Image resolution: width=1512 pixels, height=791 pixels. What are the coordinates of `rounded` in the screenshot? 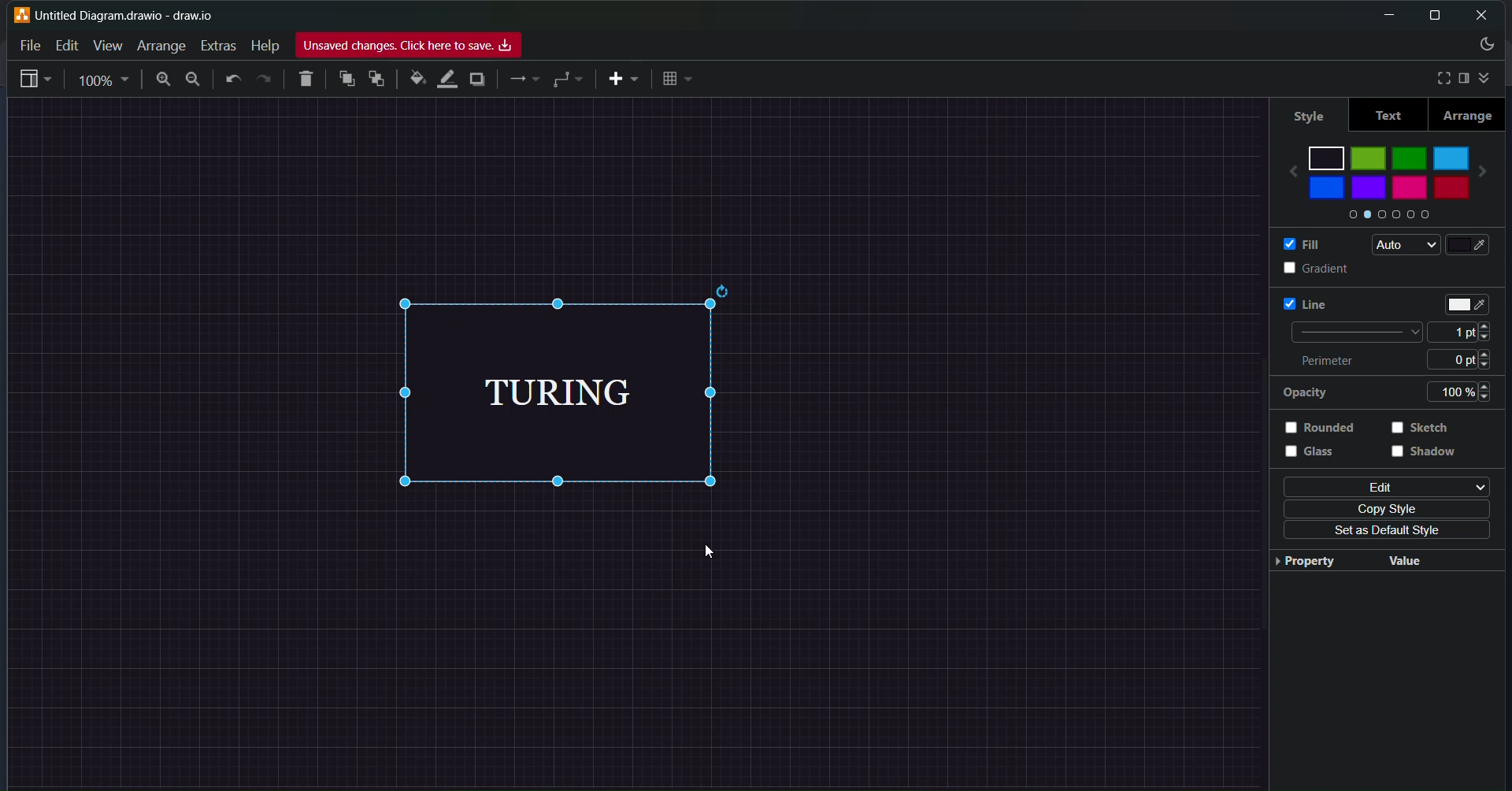 It's located at (1325, 427).